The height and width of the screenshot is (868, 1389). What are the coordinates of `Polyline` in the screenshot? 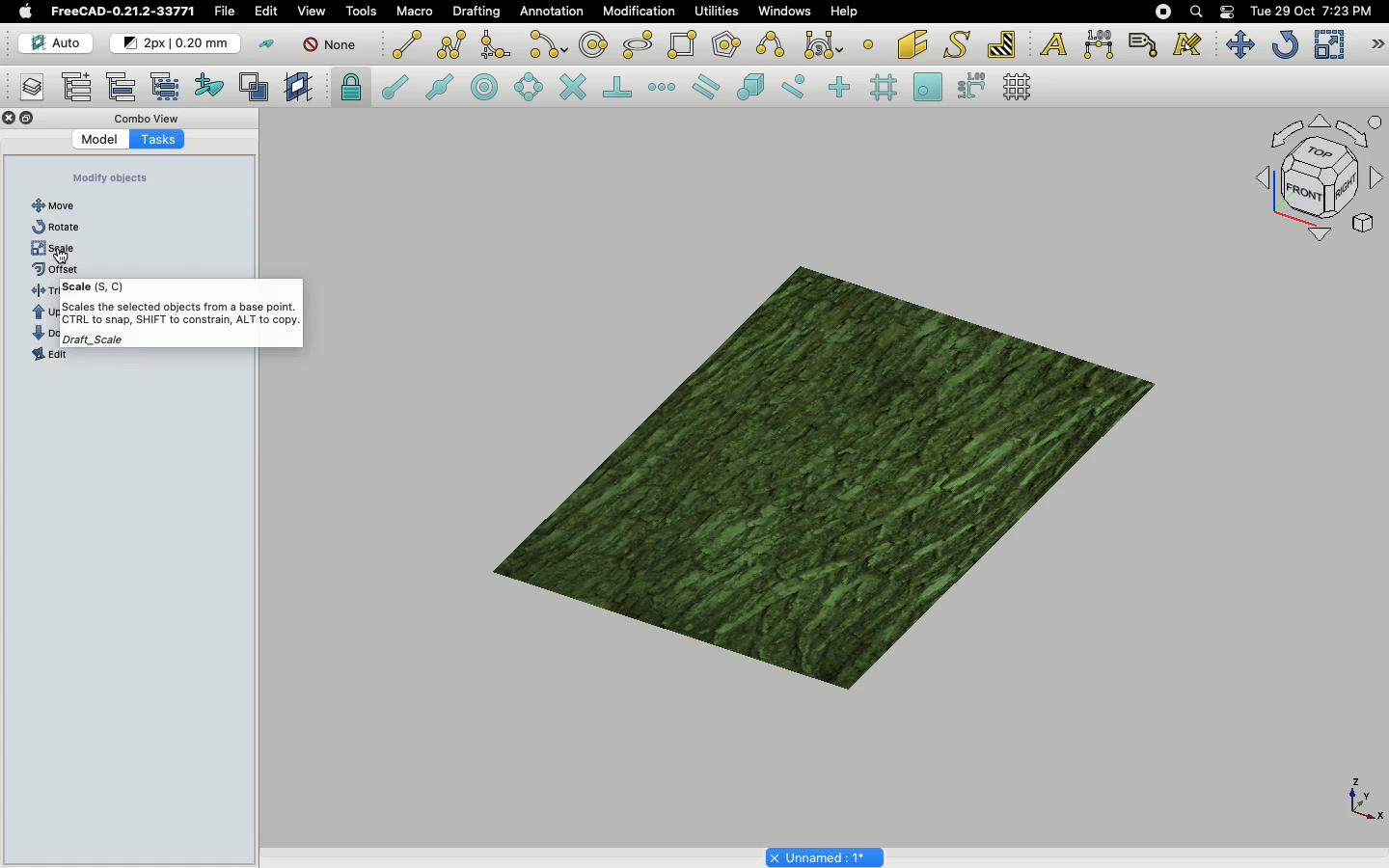 It's located at (59, 227).